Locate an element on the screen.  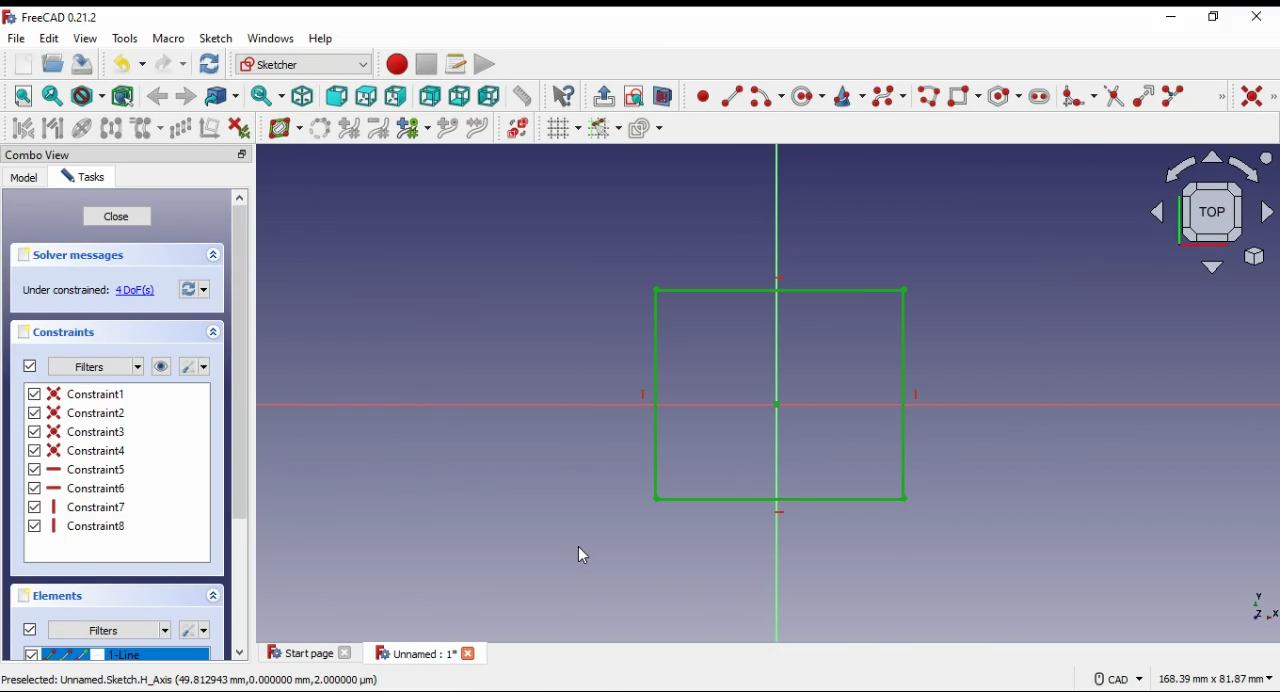
create fillet is located at coordinates (1079, 96).